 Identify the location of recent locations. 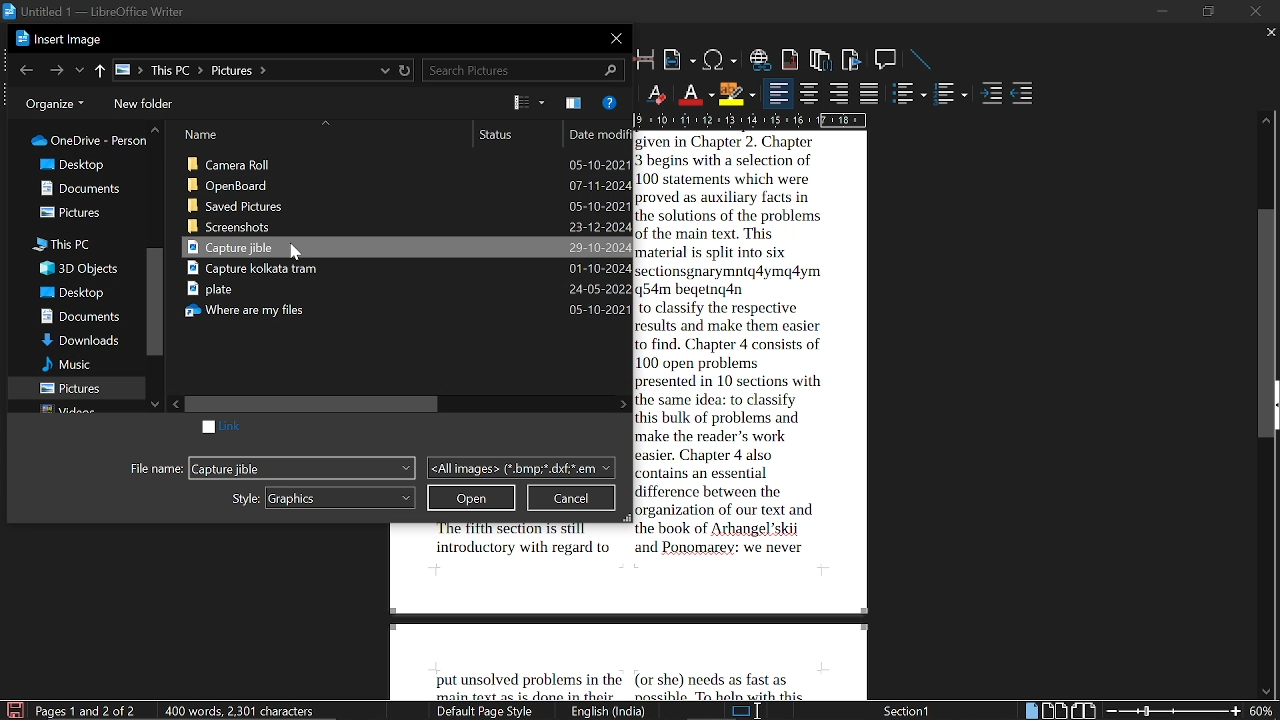
(383, 70).